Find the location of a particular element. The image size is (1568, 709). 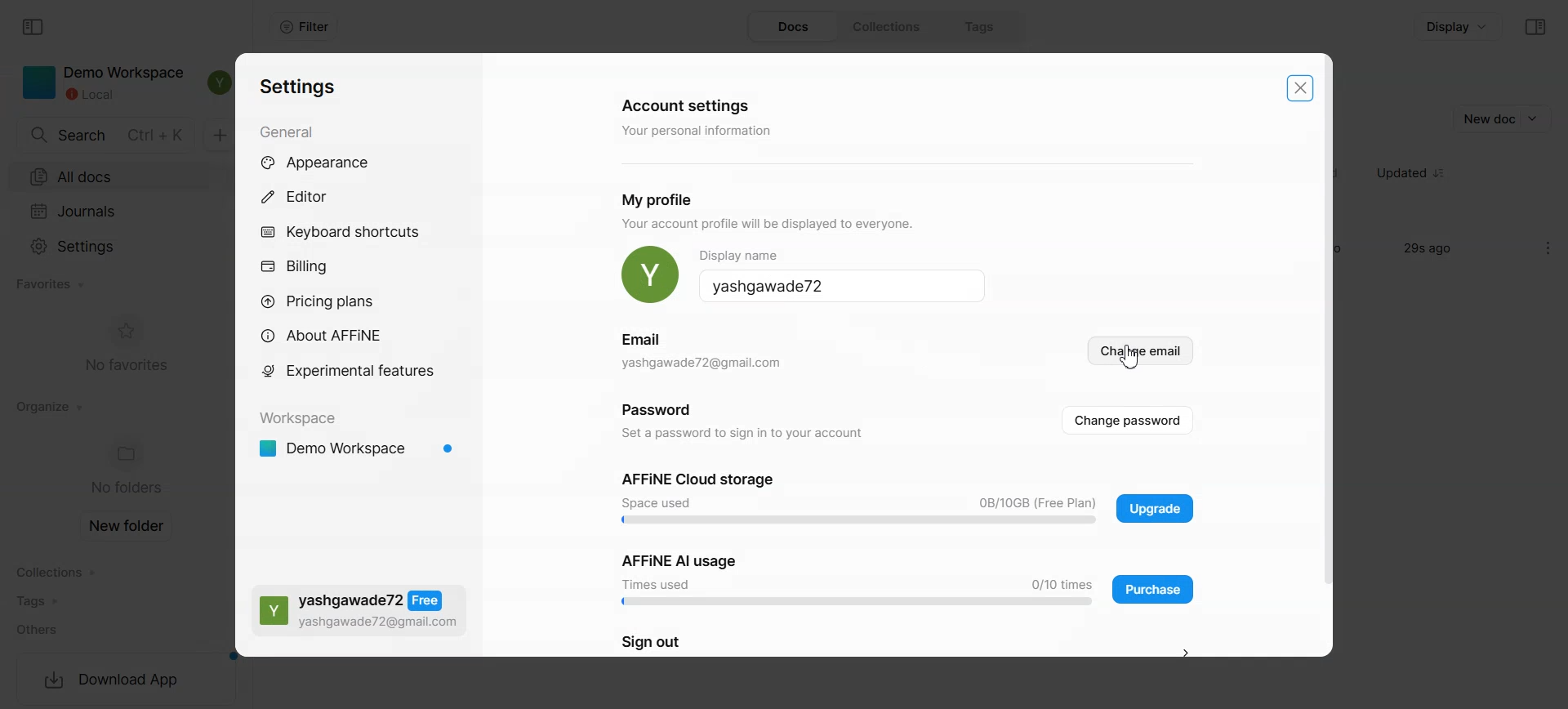

Change password is located at coordinates (1128, 421).